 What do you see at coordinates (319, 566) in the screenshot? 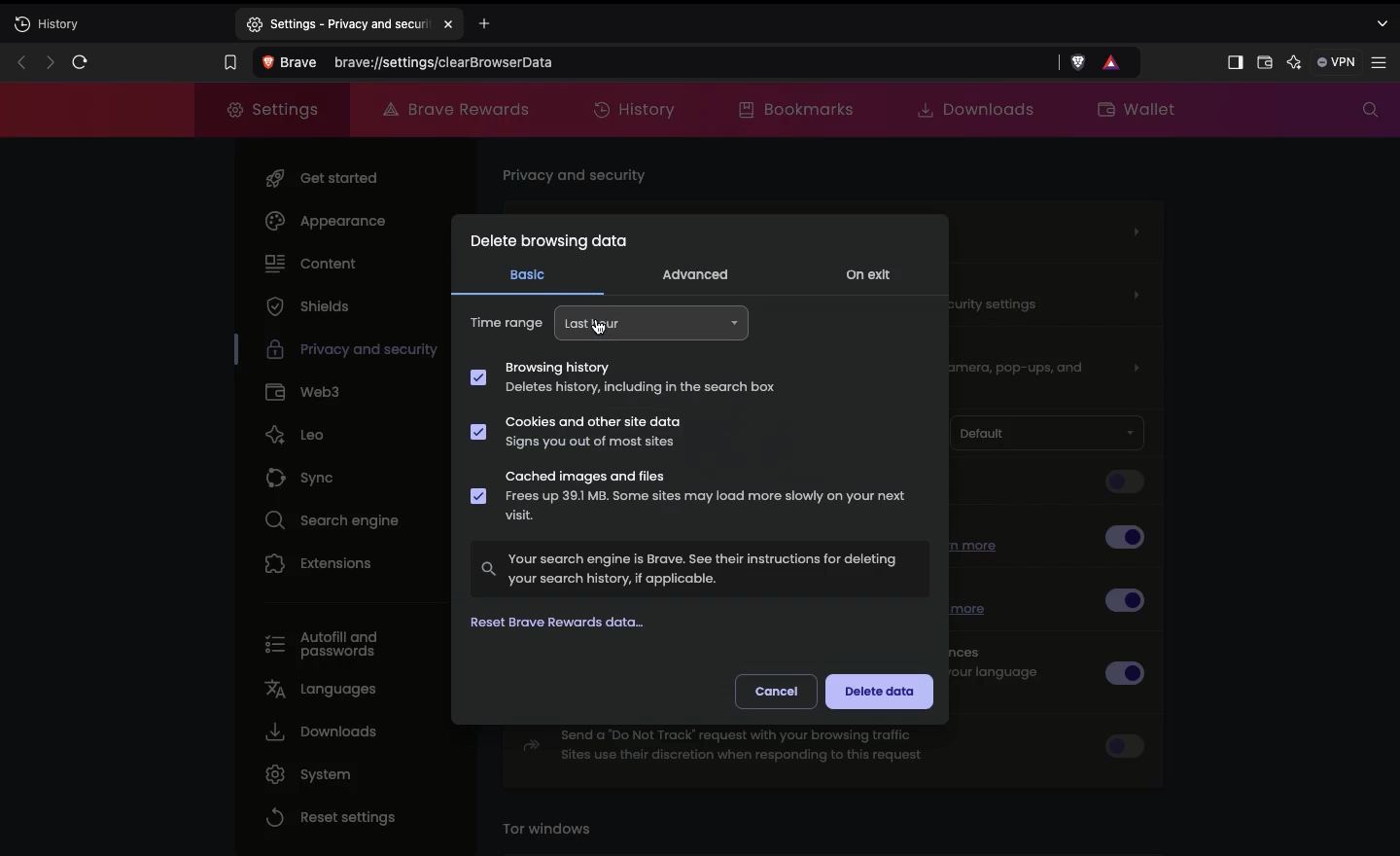
I see `Extensions` at bounding box center [319, 566].